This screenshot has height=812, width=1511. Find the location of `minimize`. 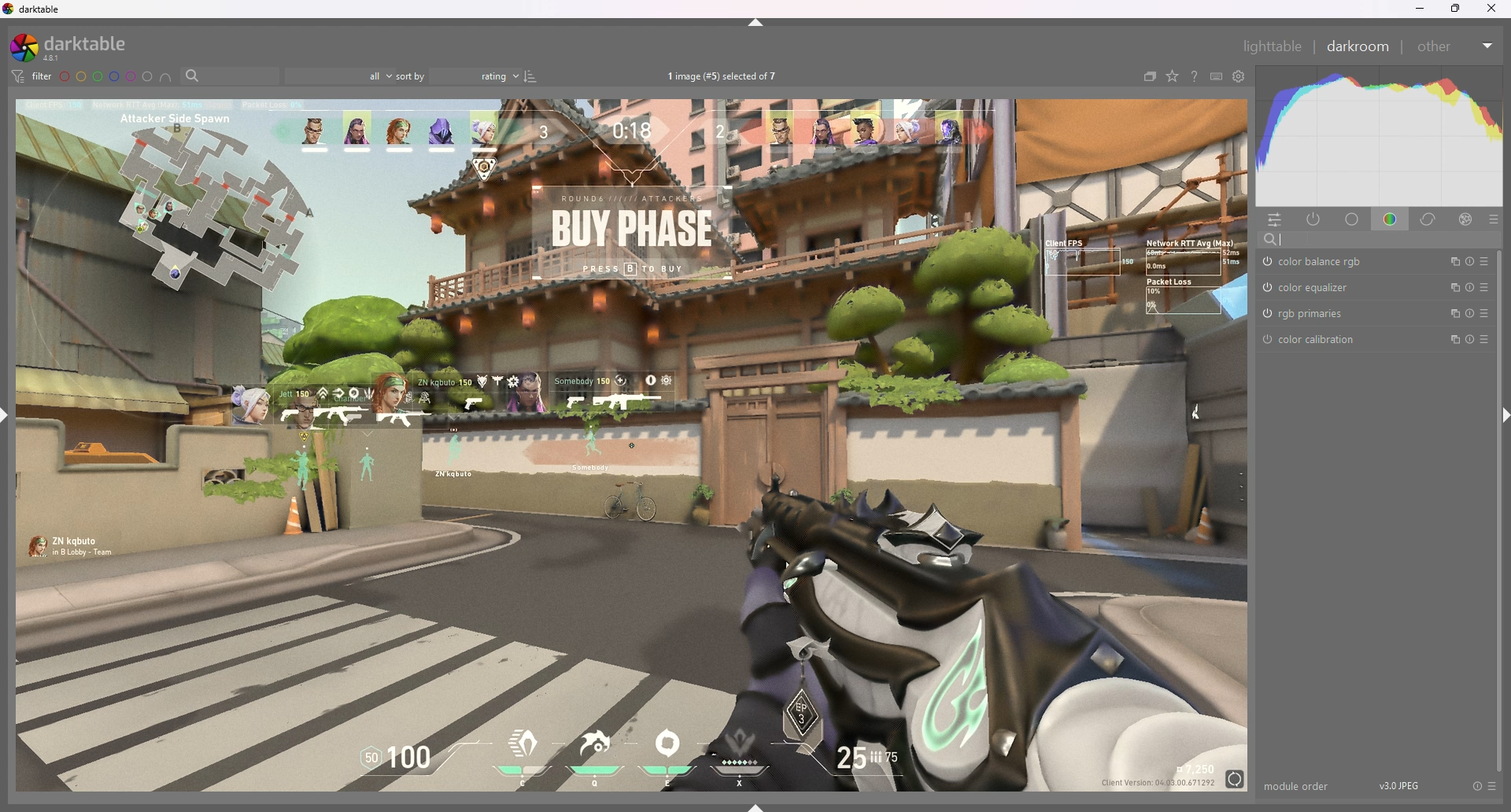

minimize is located at coordinates (1420, 8).